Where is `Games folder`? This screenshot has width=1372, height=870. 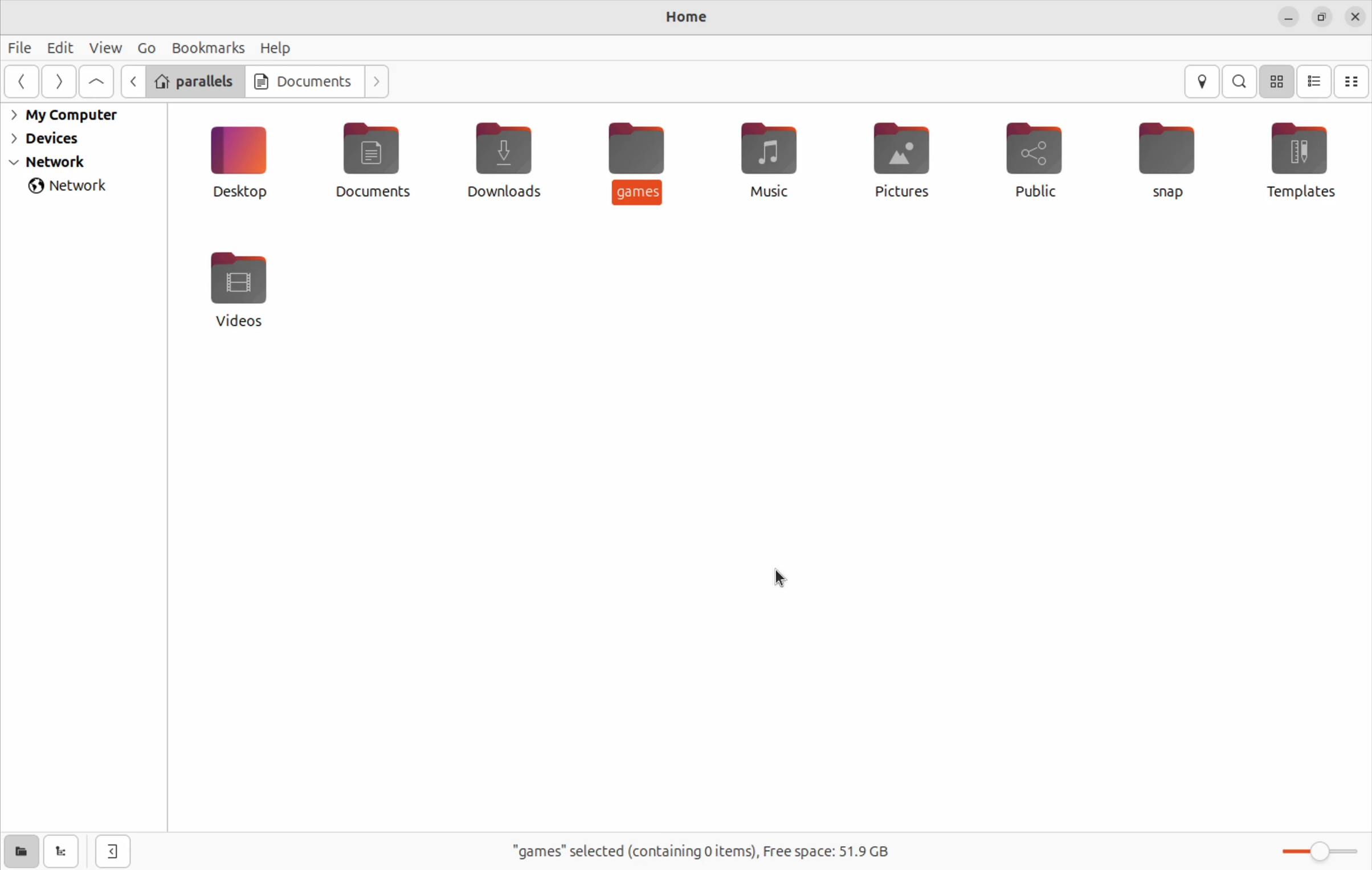
Games folder is located at coordinates (639, 161).